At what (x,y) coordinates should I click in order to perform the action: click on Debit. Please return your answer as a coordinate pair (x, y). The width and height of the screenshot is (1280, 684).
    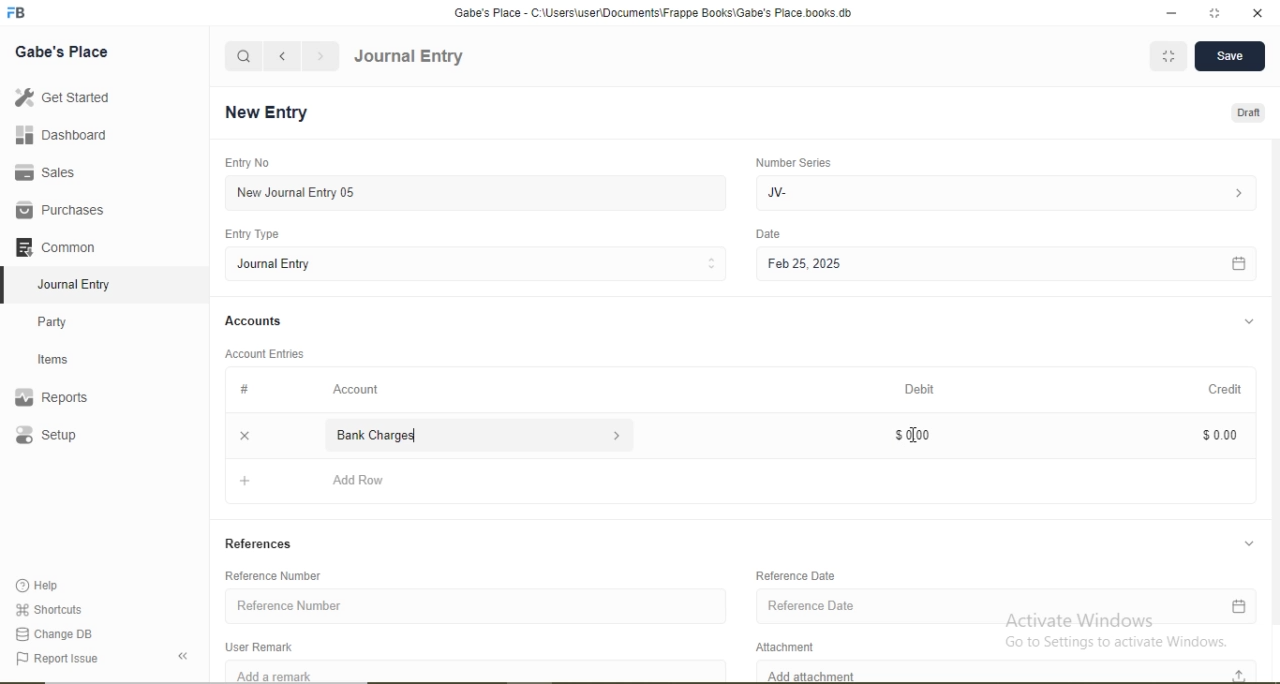
    Looking at the image, I should click on (922, 390).